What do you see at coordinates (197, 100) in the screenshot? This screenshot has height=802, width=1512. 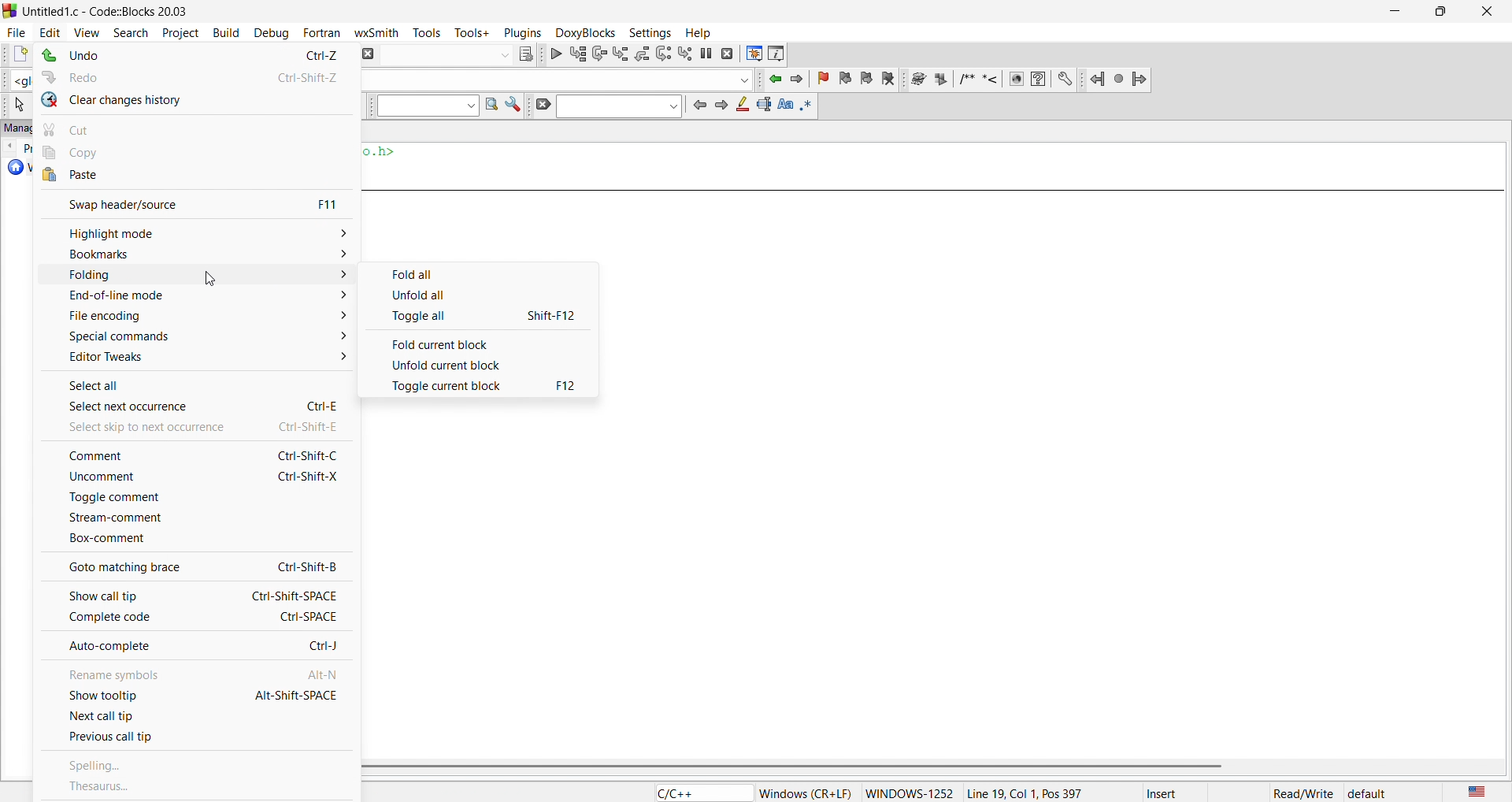 I see `clear changes history` at bounding box center [197, 100].